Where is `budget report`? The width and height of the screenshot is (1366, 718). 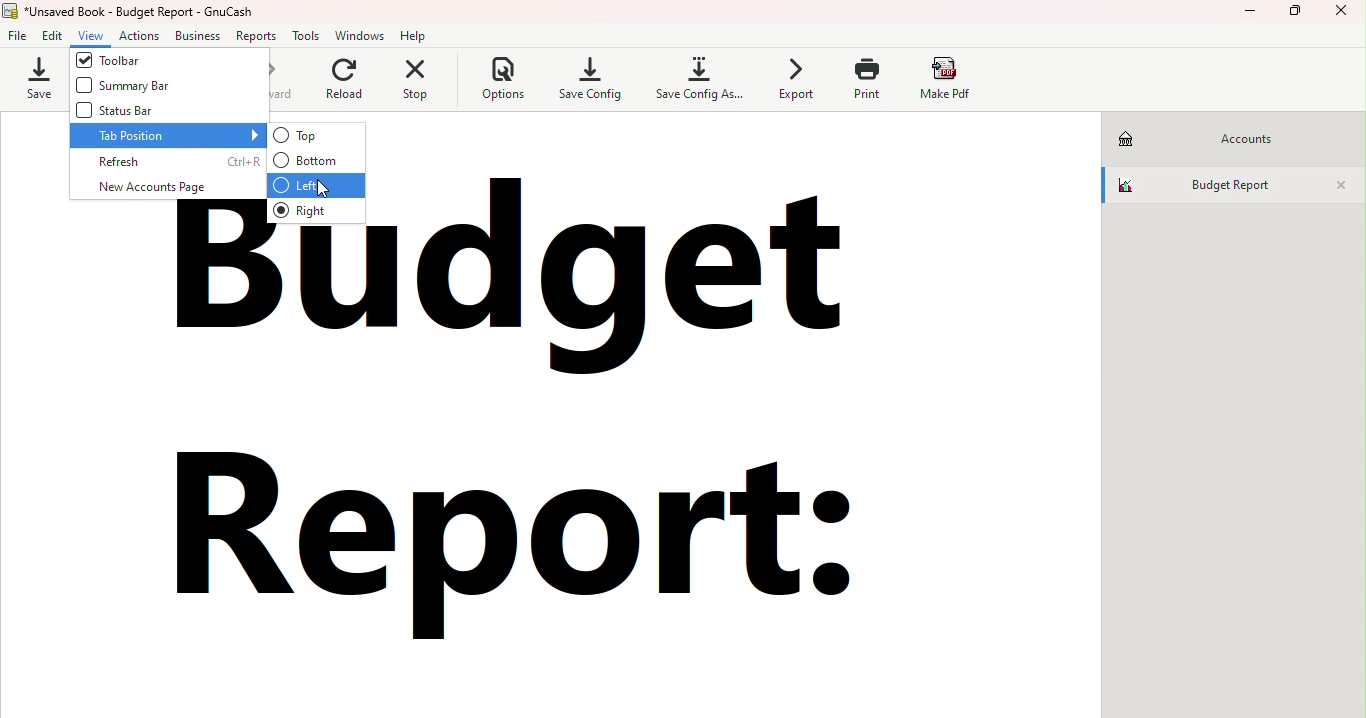 budget report is located at coordinates (553, 437).